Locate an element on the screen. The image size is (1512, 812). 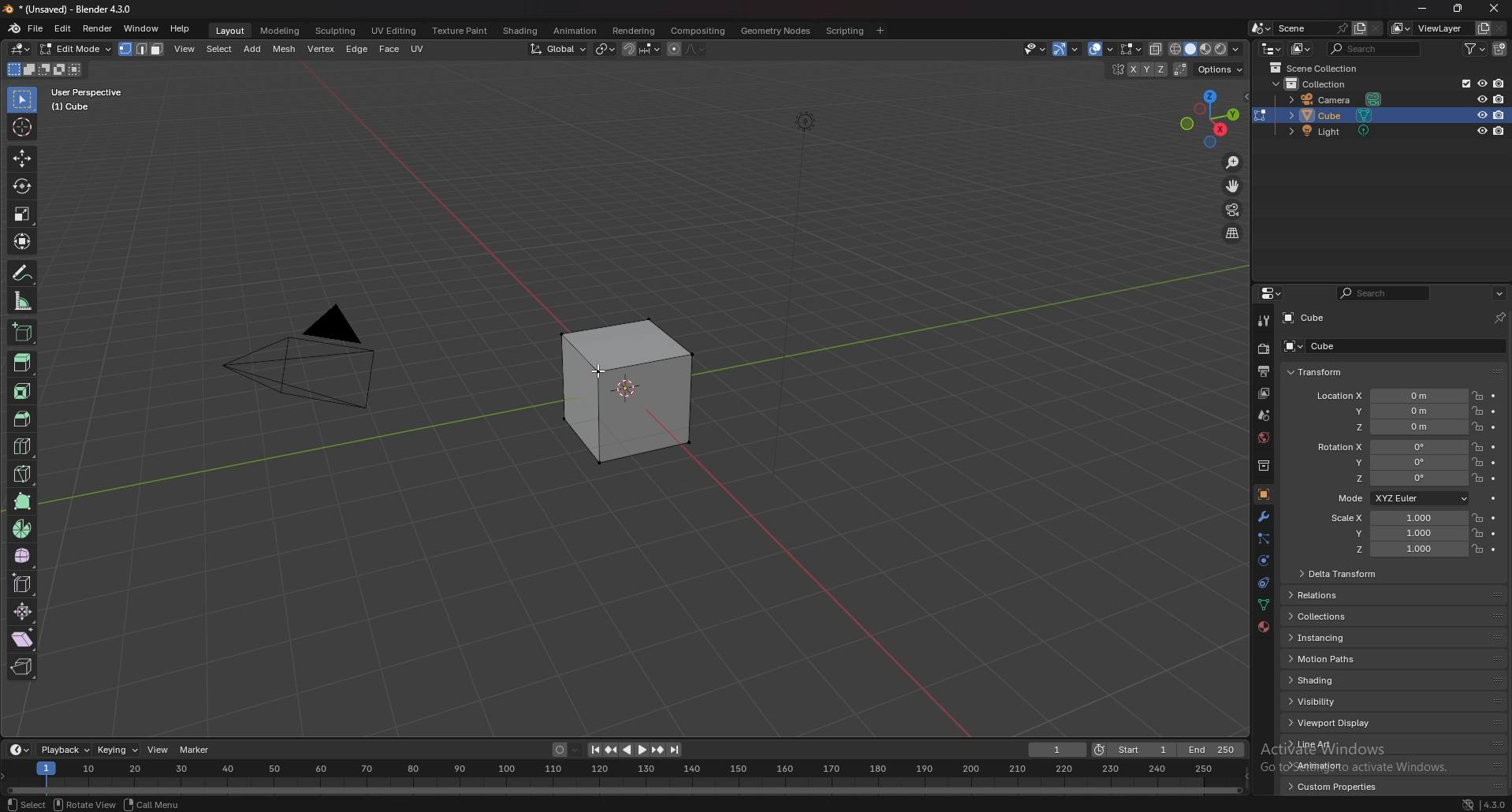
display filter is located at coordinates (1387, 292).